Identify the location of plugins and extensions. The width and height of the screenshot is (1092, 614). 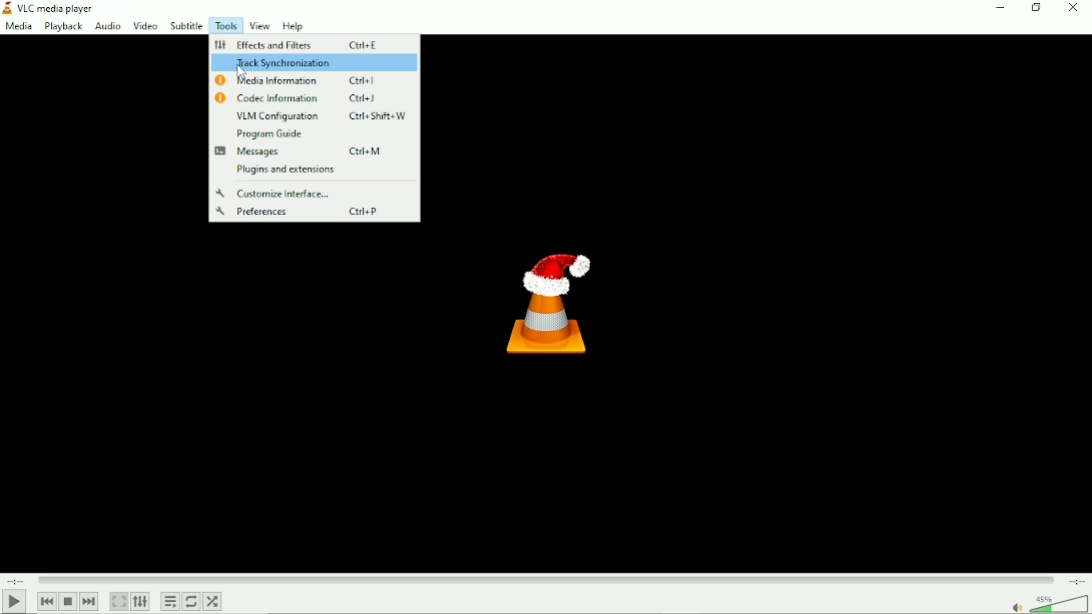
(287, 170).